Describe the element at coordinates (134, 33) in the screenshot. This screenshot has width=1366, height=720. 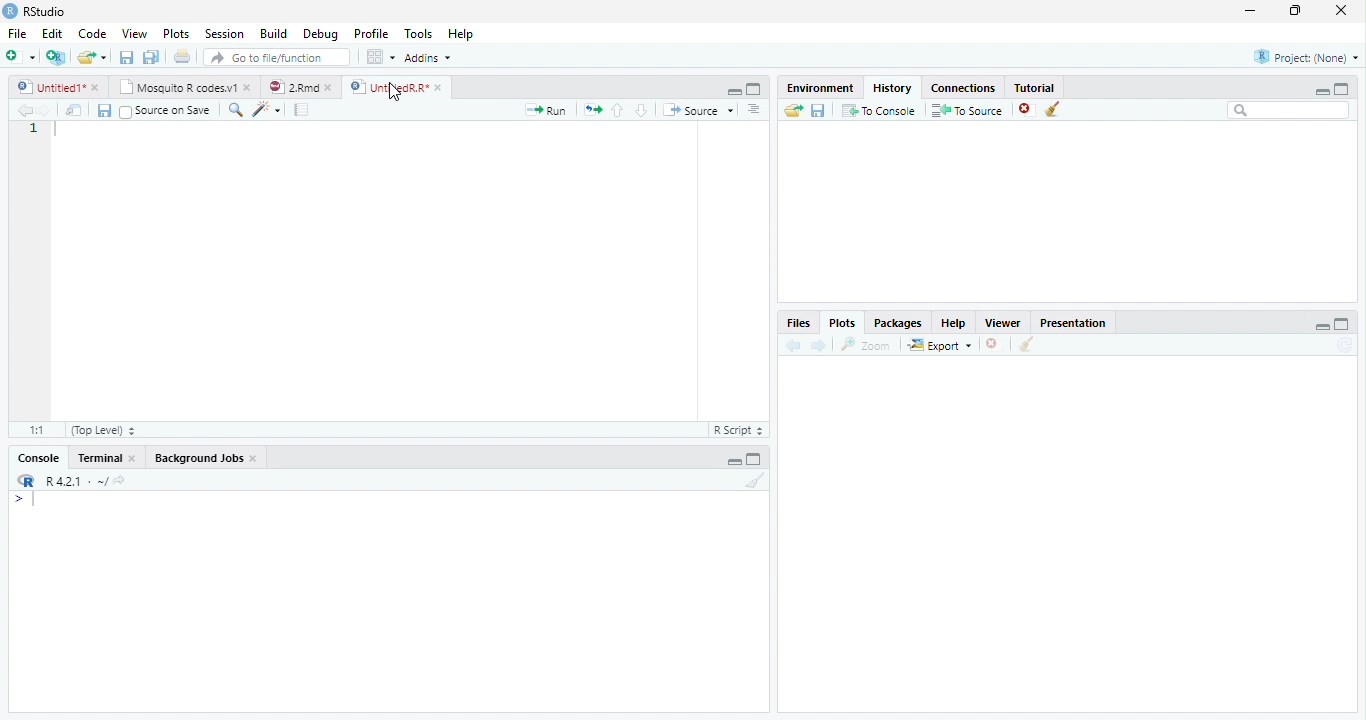
I see `View` at that location.